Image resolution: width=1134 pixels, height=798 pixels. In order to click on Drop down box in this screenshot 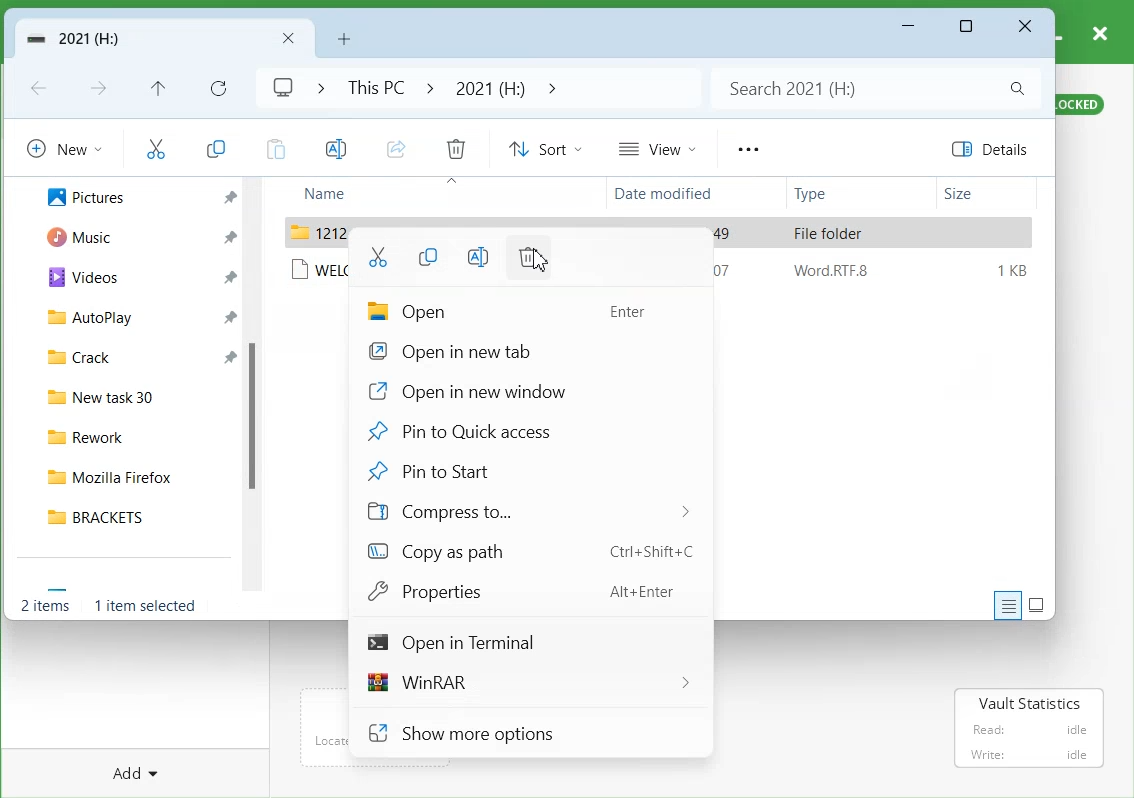, I will do `click(430, 87)`.